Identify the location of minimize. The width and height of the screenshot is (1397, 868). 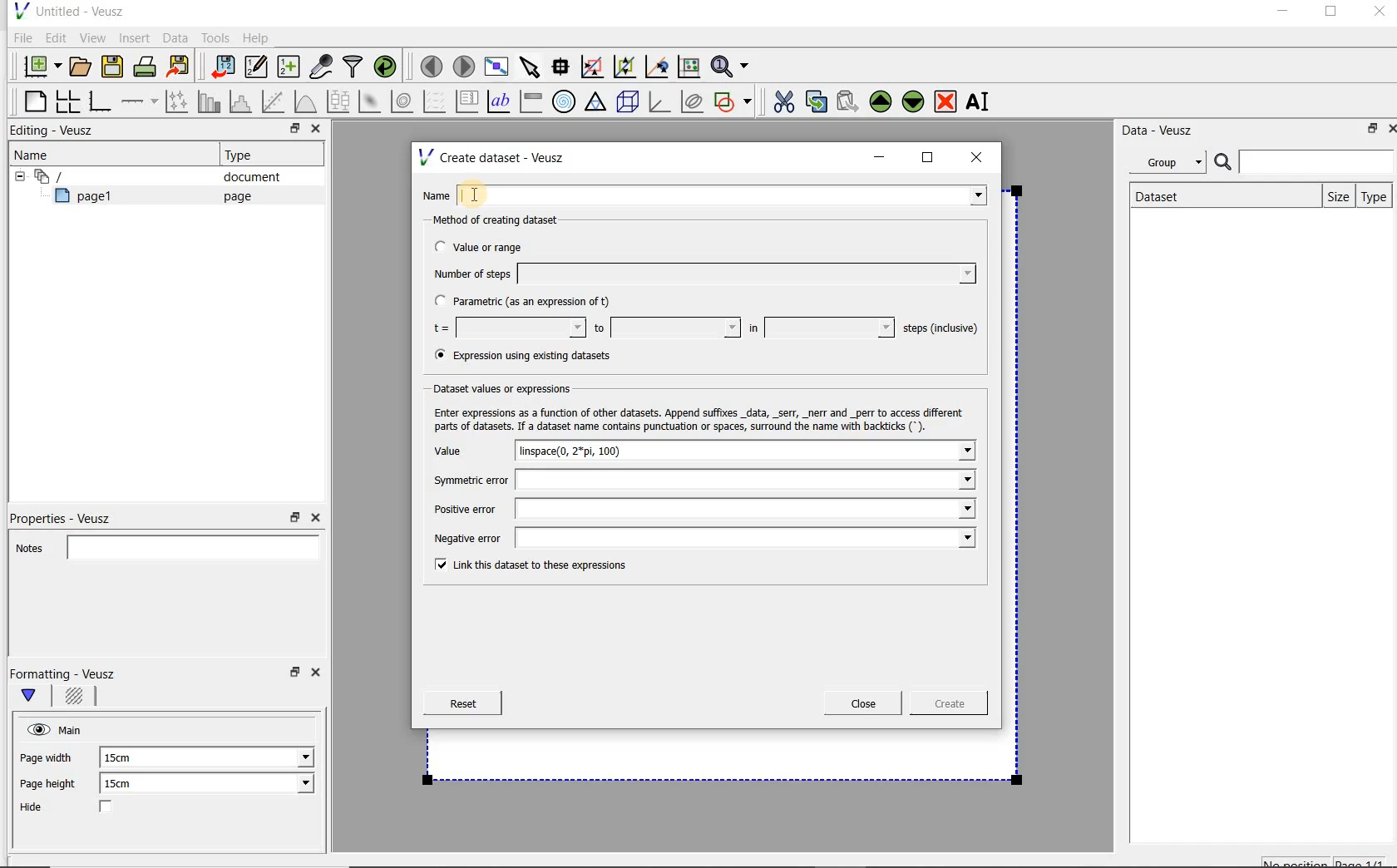
(880, 157).